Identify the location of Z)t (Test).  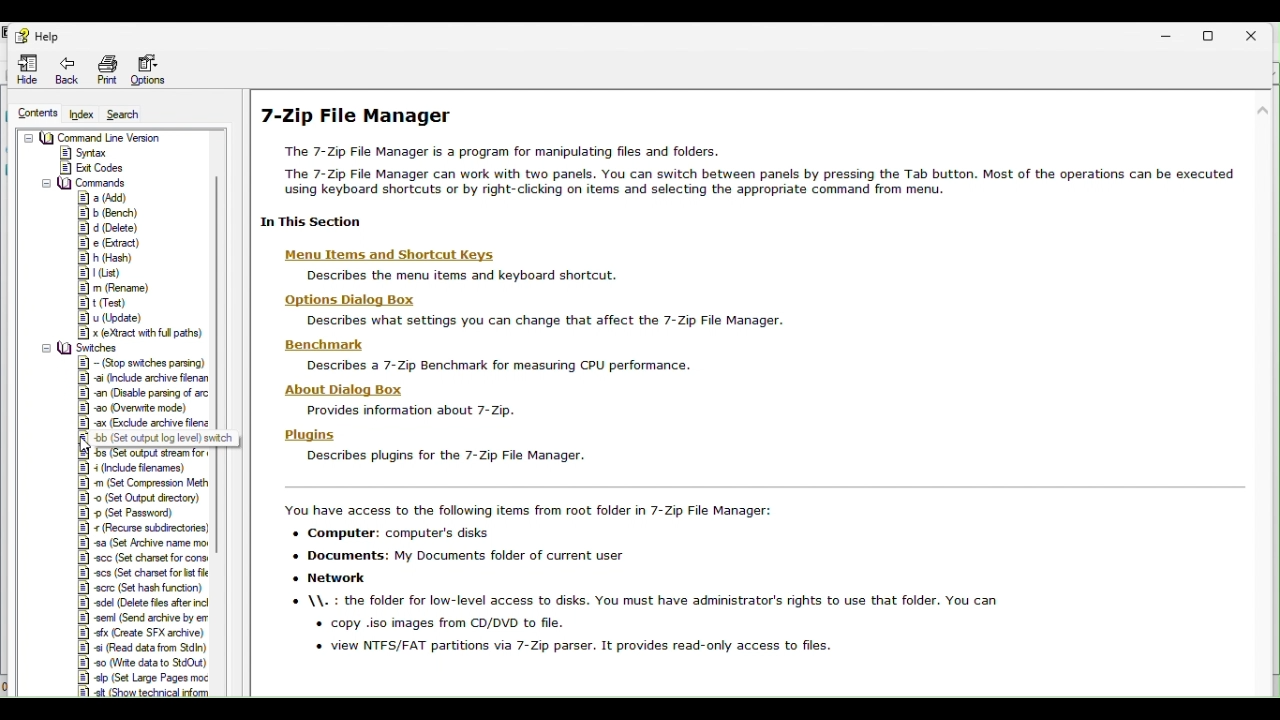
(104, 303).